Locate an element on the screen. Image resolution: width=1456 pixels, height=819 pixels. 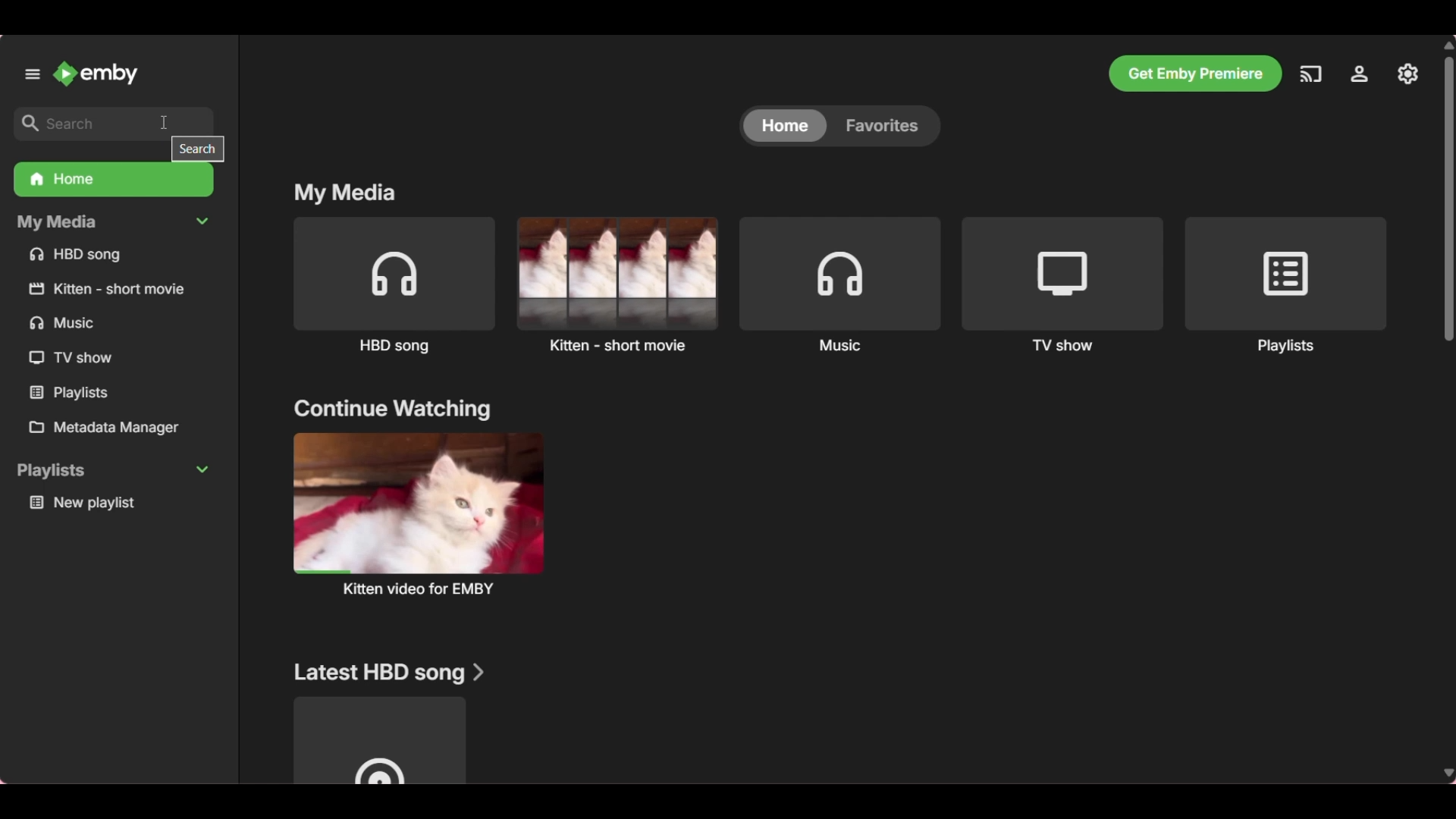
Settings is located at coordinates (1409, 74).